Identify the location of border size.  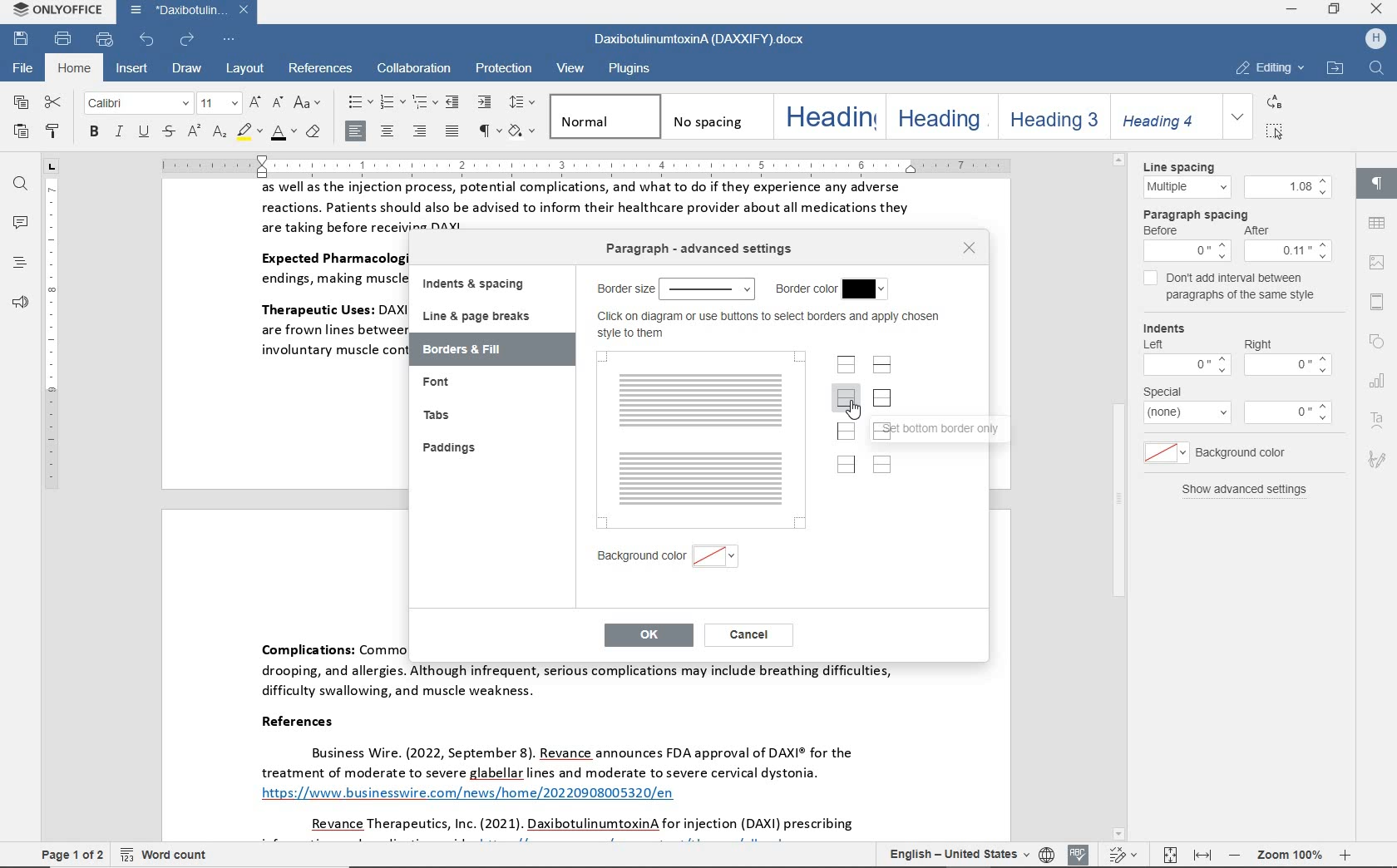
(674, 289).